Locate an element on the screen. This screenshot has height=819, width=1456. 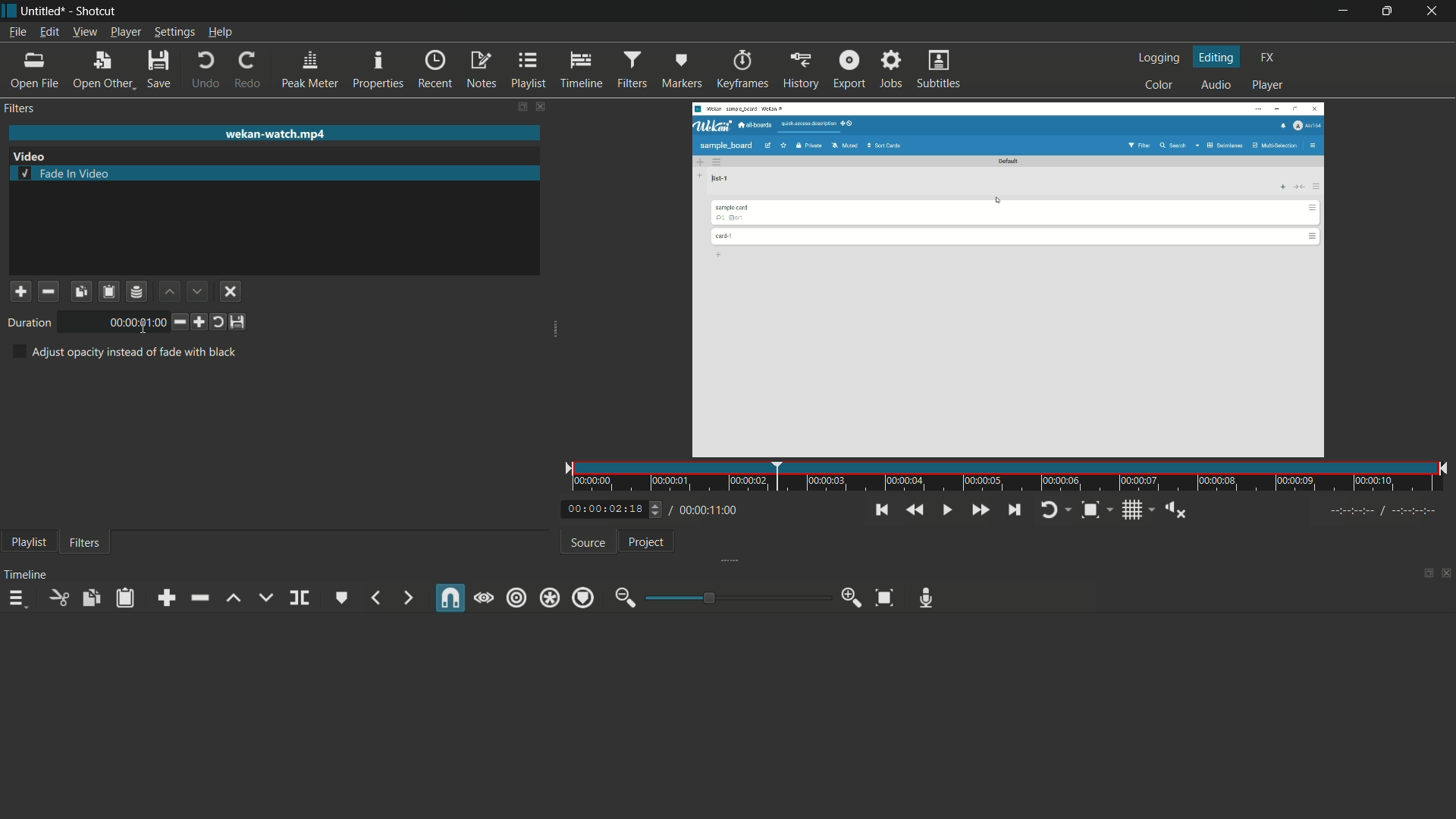
overwrite is located at coordinates (265, 597).